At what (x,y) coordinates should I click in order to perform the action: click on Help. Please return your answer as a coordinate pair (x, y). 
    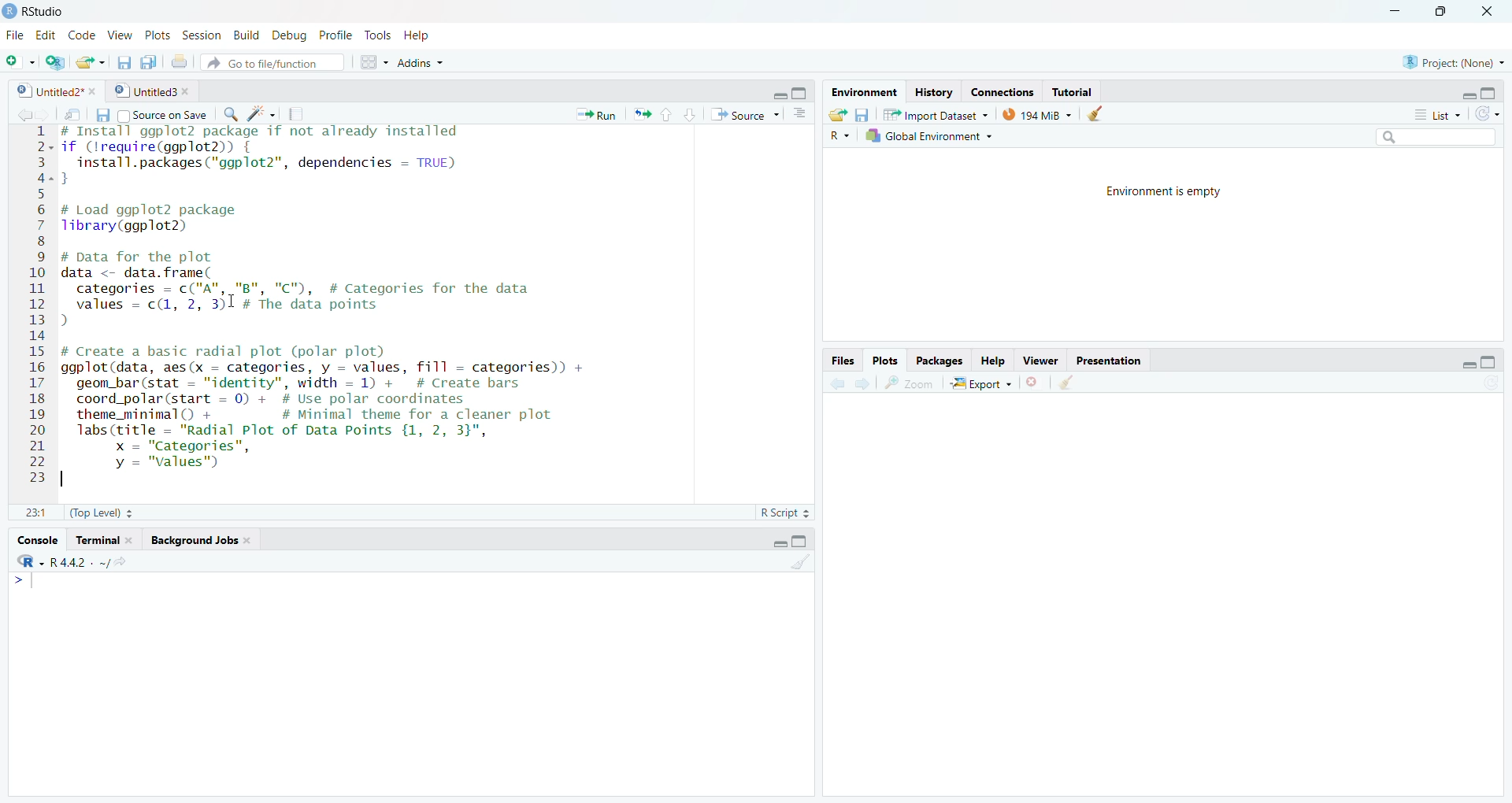
    Looking at the image, I should click on (991, 362).